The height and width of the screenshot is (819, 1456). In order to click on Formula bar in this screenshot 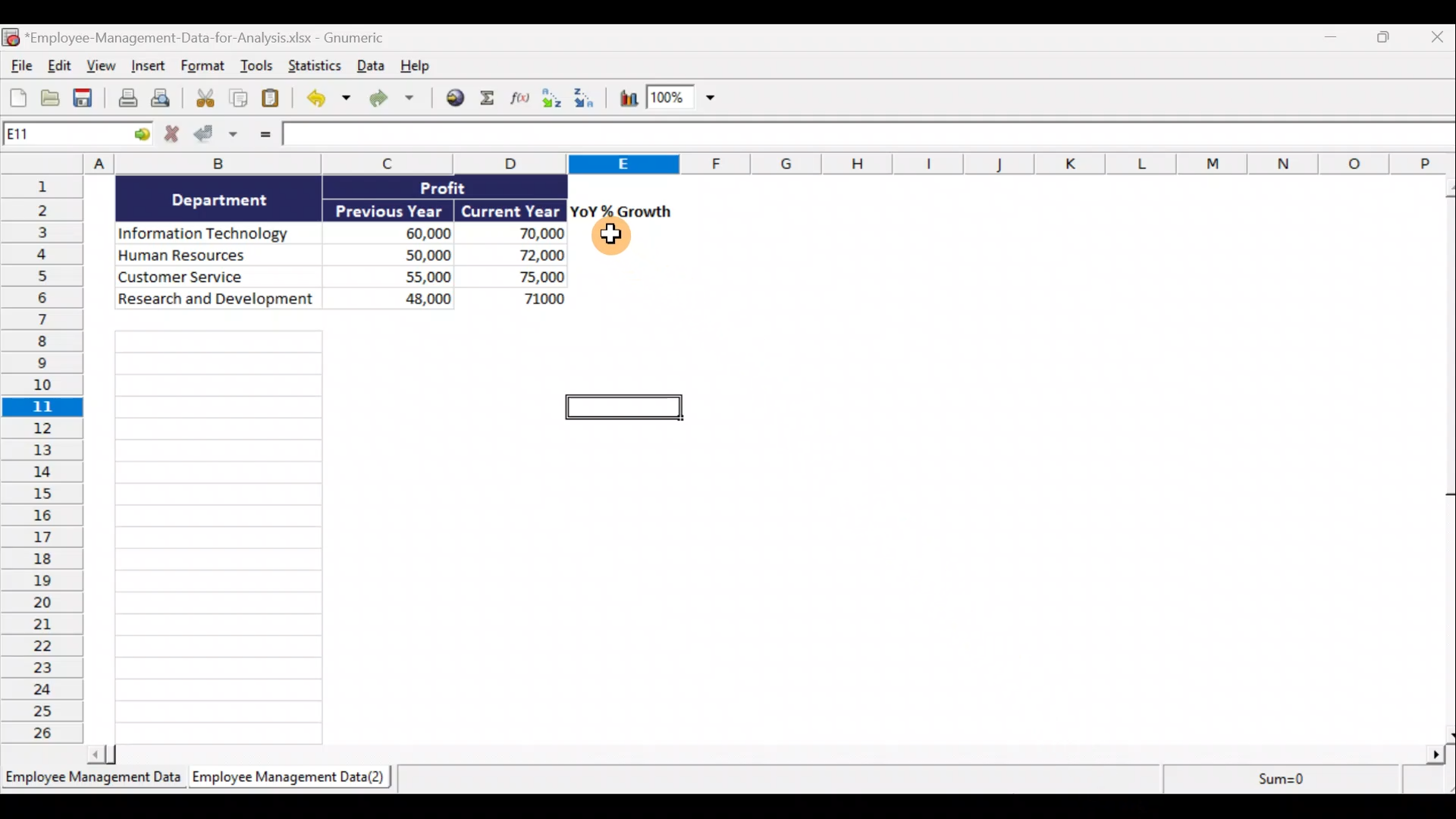, I will do `click(870, 136)`.